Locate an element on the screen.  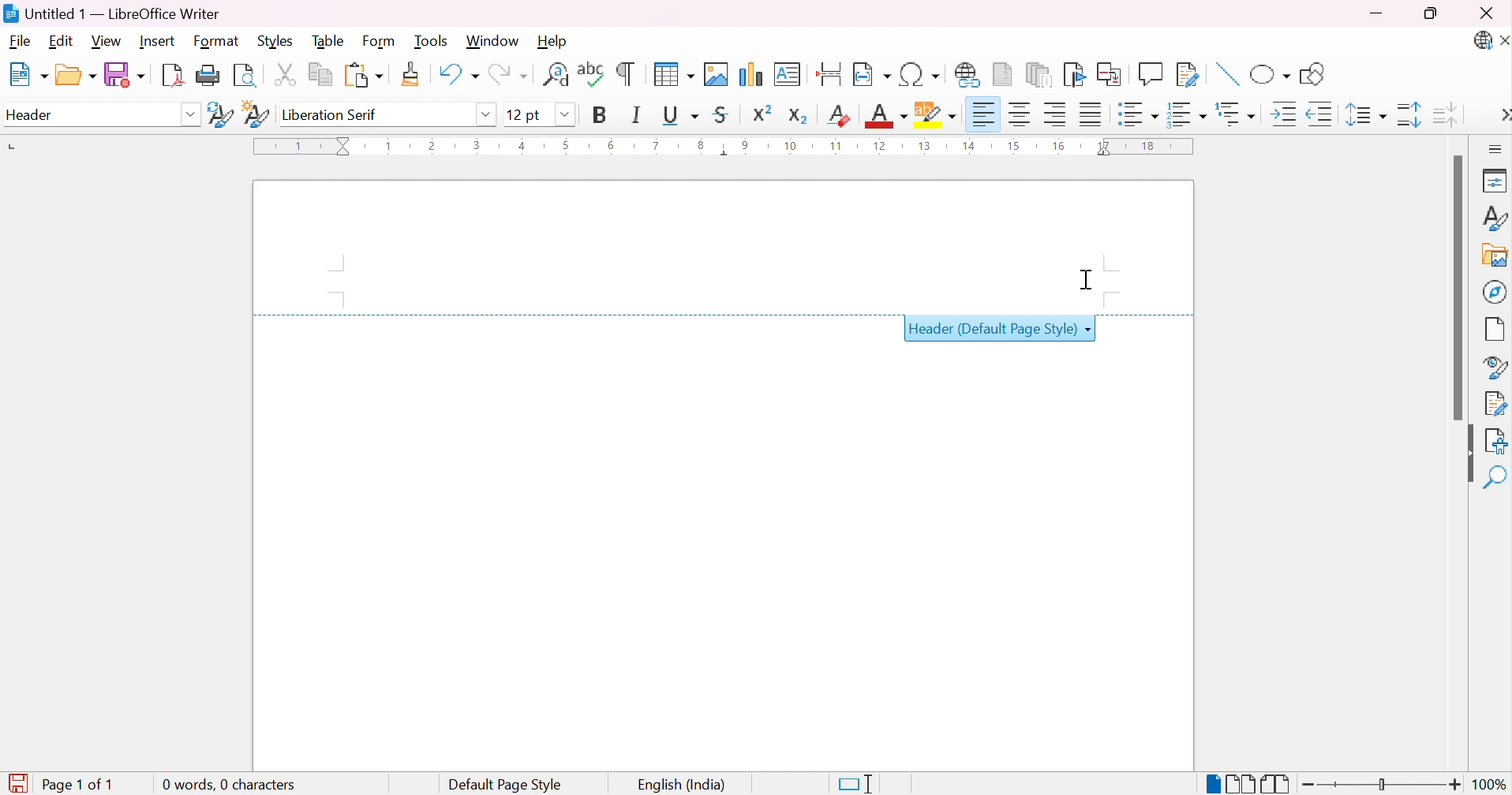
Insert page break is located at coordinates (833, 73).